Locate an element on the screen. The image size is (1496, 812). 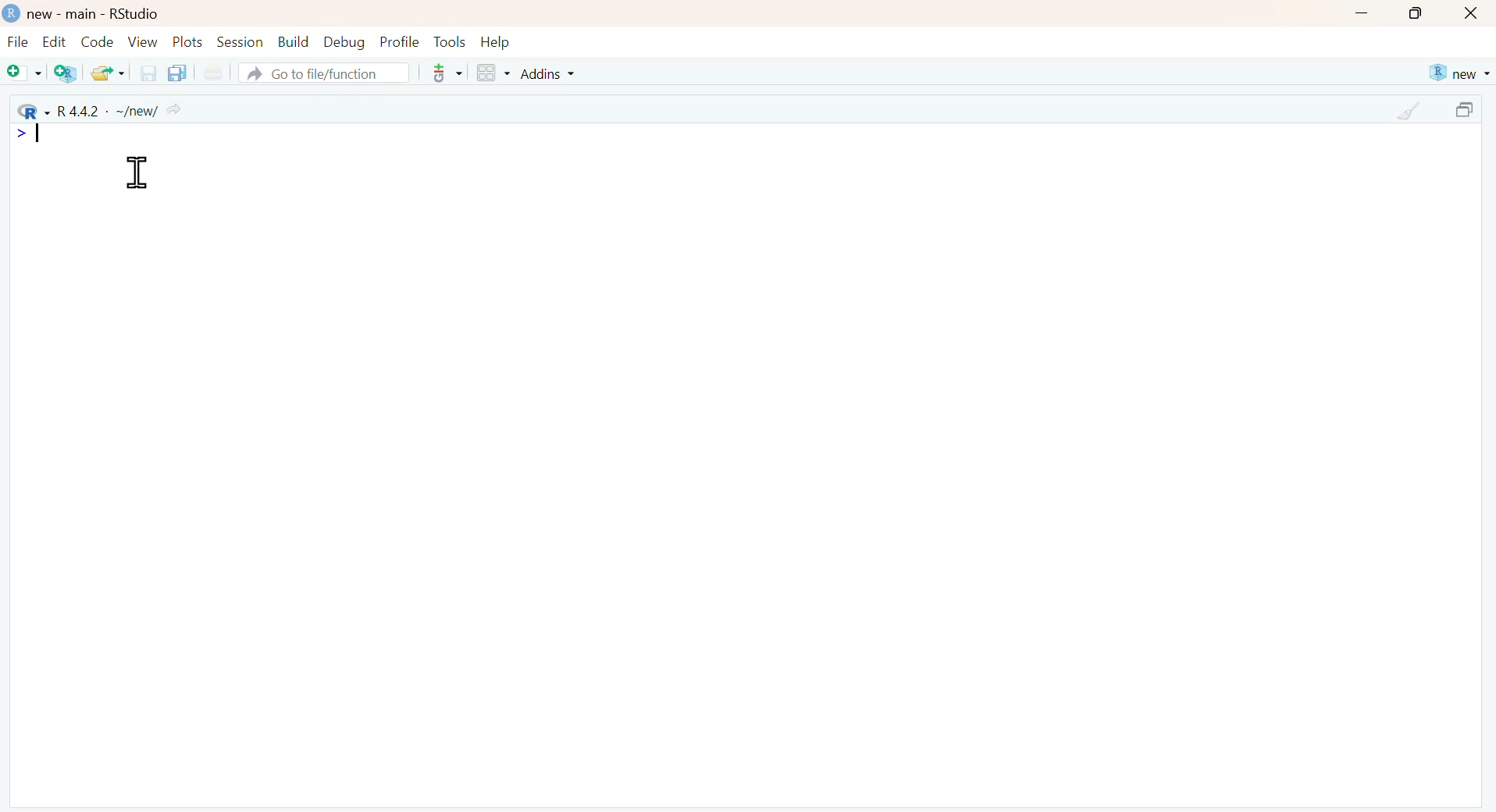
Session is located at coordinates (240, 41).